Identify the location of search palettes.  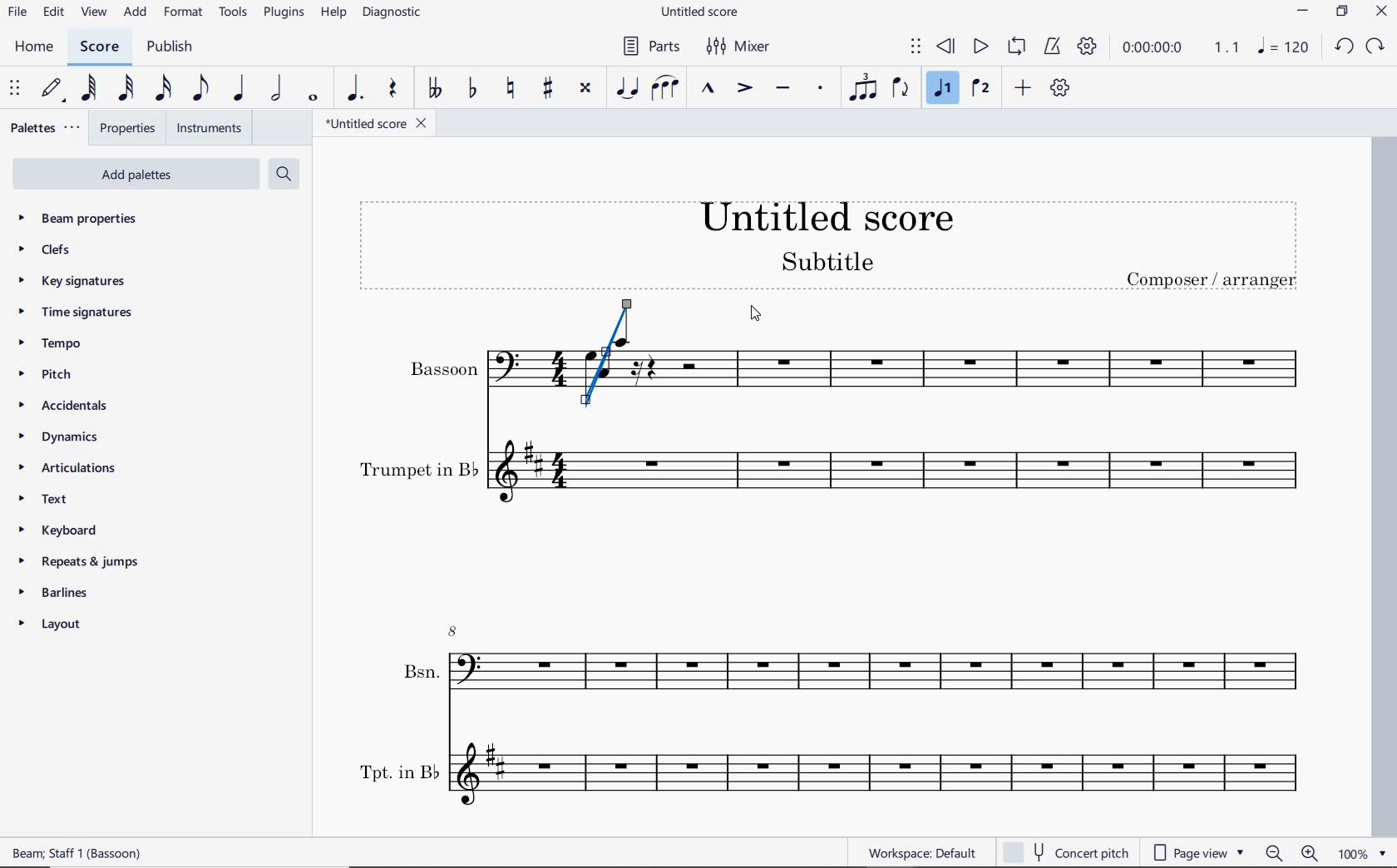
(285, 174).